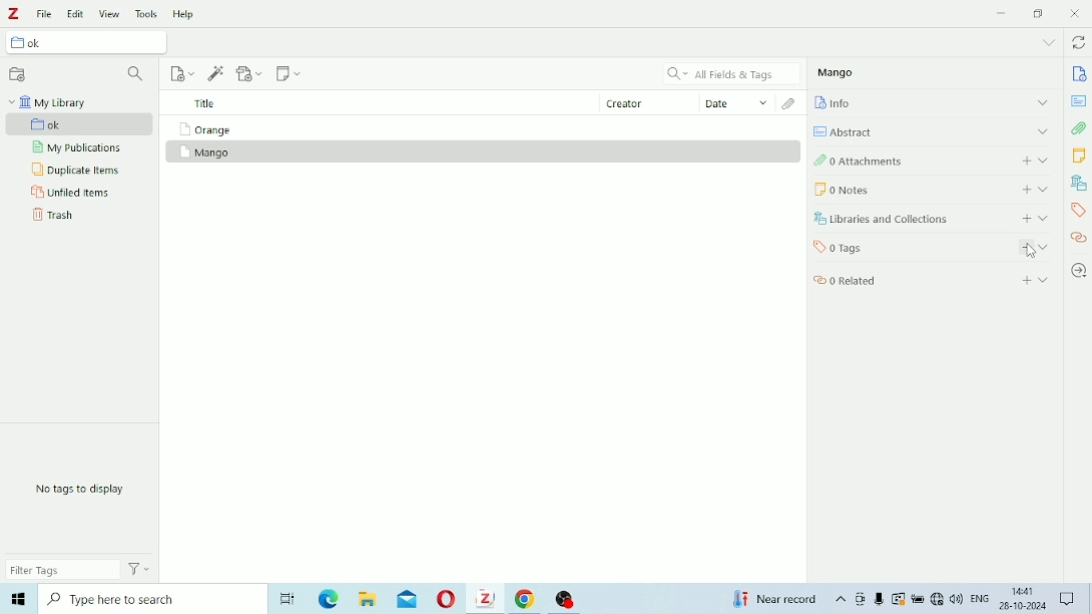 This screenshot has height=614, width=1092. I want to click on Show hidden icons, so click(841, 600).